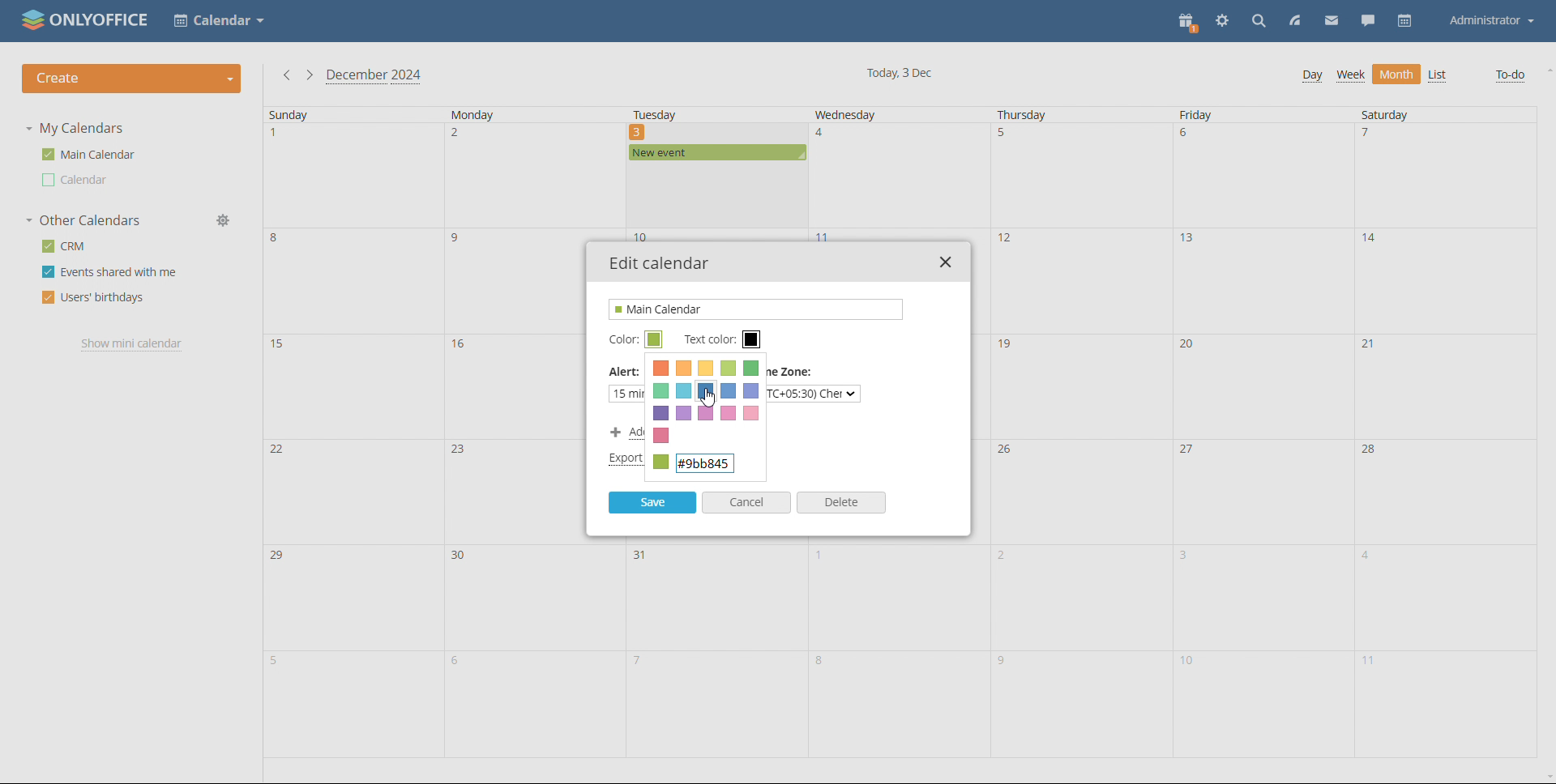 The width and height of the screenshot is (1556, 784). What do you see at coordinates (713, 704) in the screenshot?
I see `date` at bounding box center [713, 704].